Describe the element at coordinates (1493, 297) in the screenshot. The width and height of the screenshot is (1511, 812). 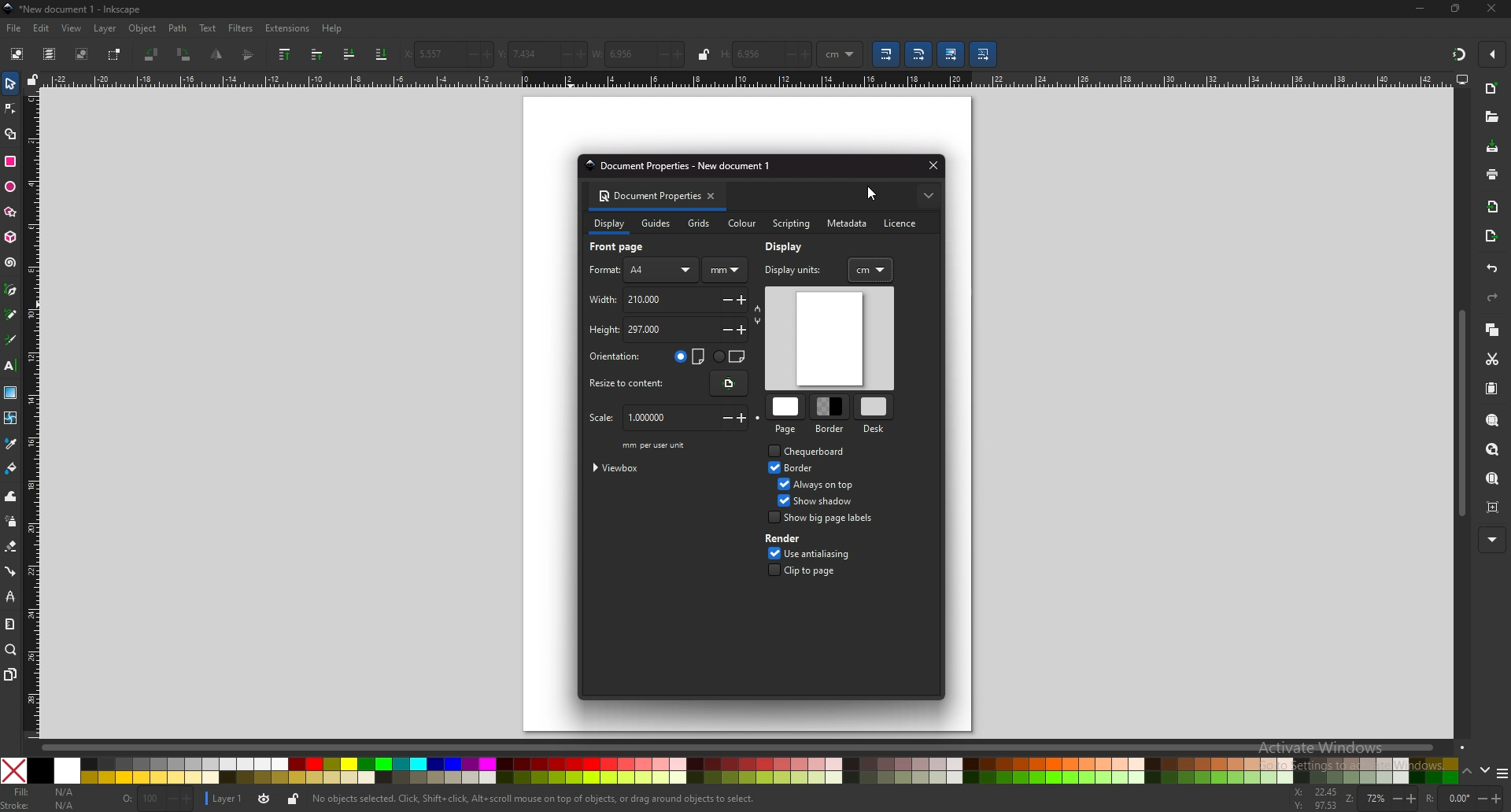
I see `redo` at that location.